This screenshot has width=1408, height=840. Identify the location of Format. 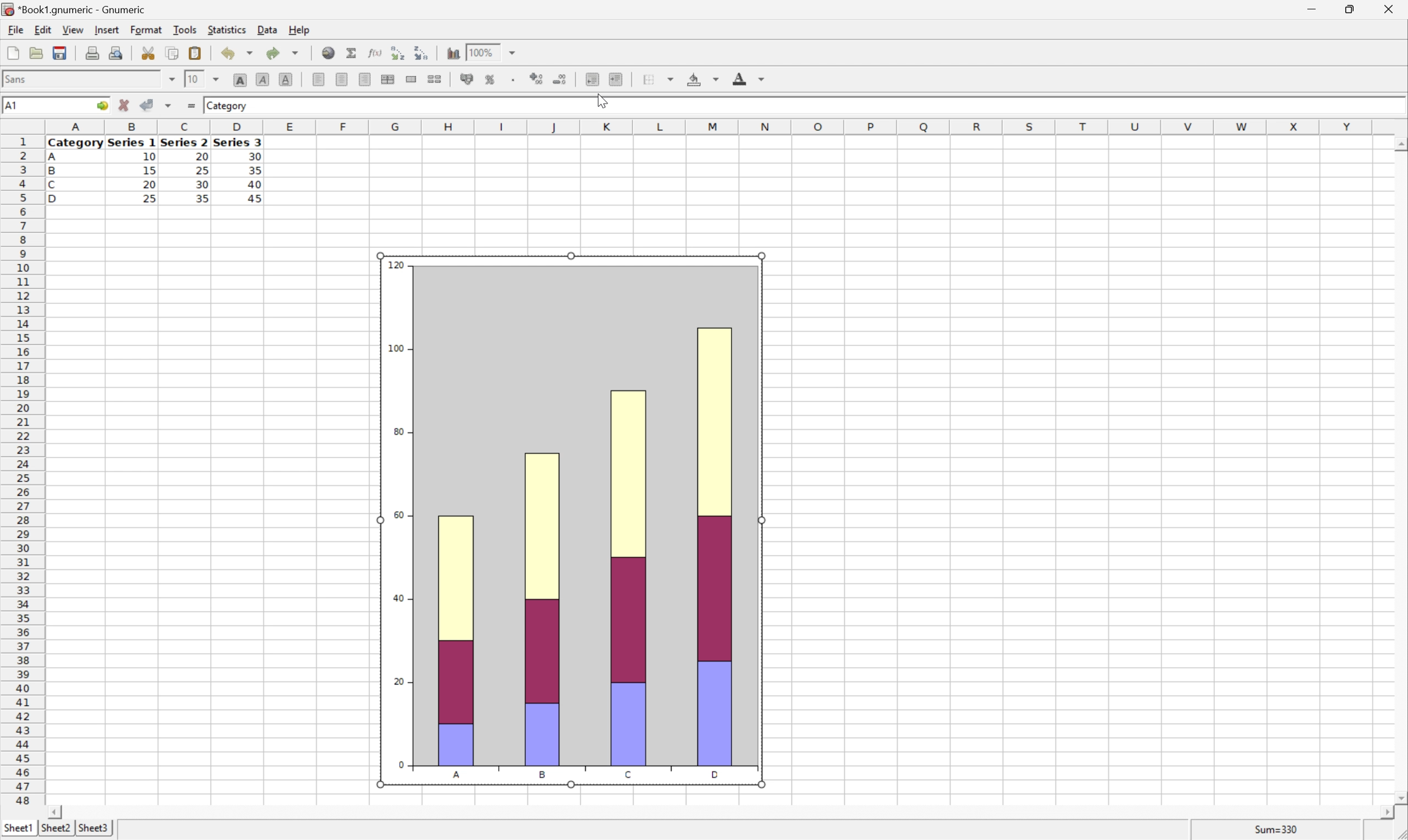
(146, 29).